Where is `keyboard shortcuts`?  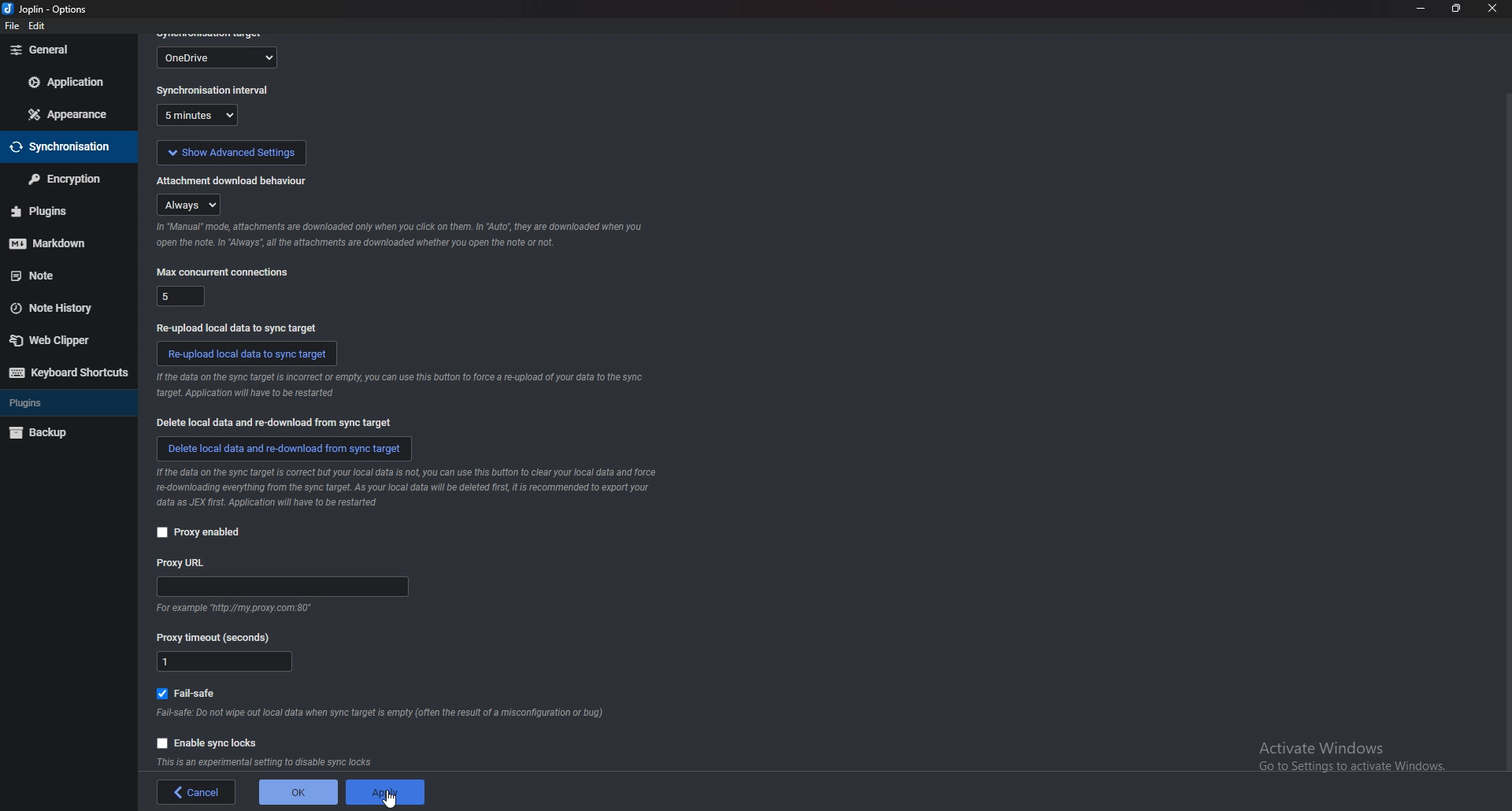
keyboard shortcuts is located at coordinates (68, 373).